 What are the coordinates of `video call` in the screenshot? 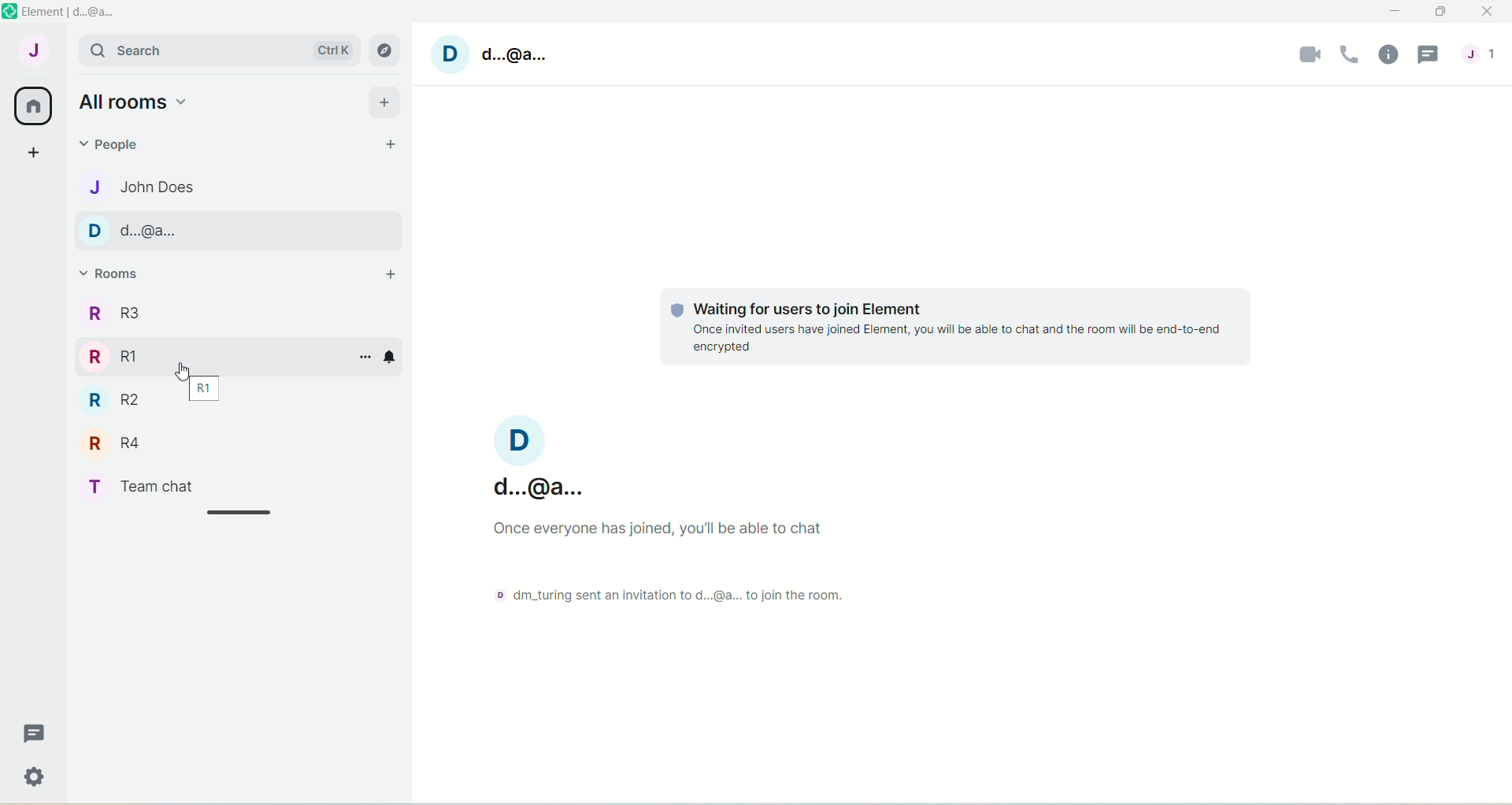 It's located at (1303, 57).